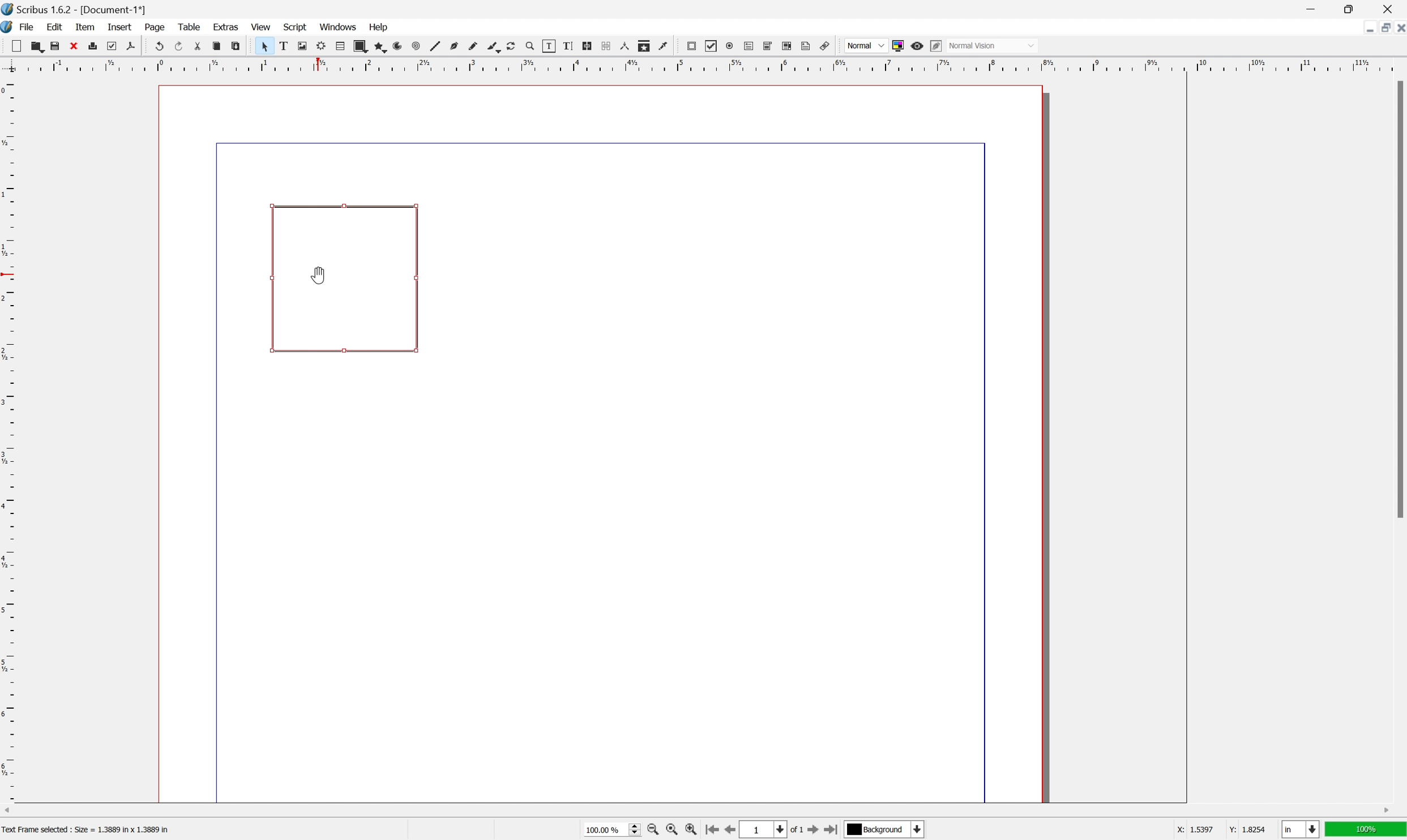  What do you see at coordinates (74, 45) in the screenshot?
I see `close` at bounding box center [74, 45].